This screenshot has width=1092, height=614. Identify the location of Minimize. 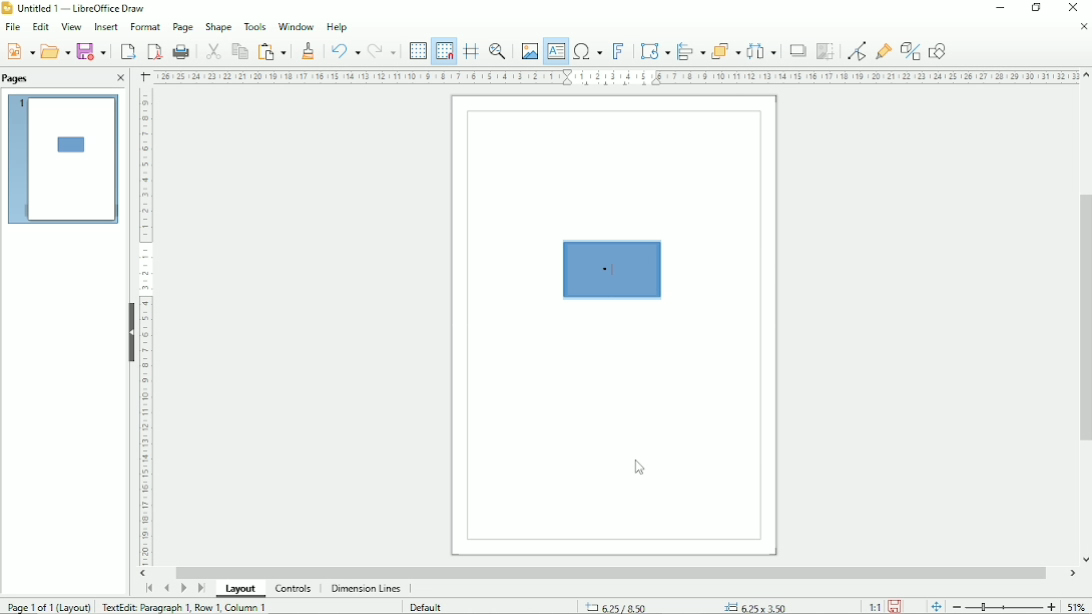
(1001, 8).